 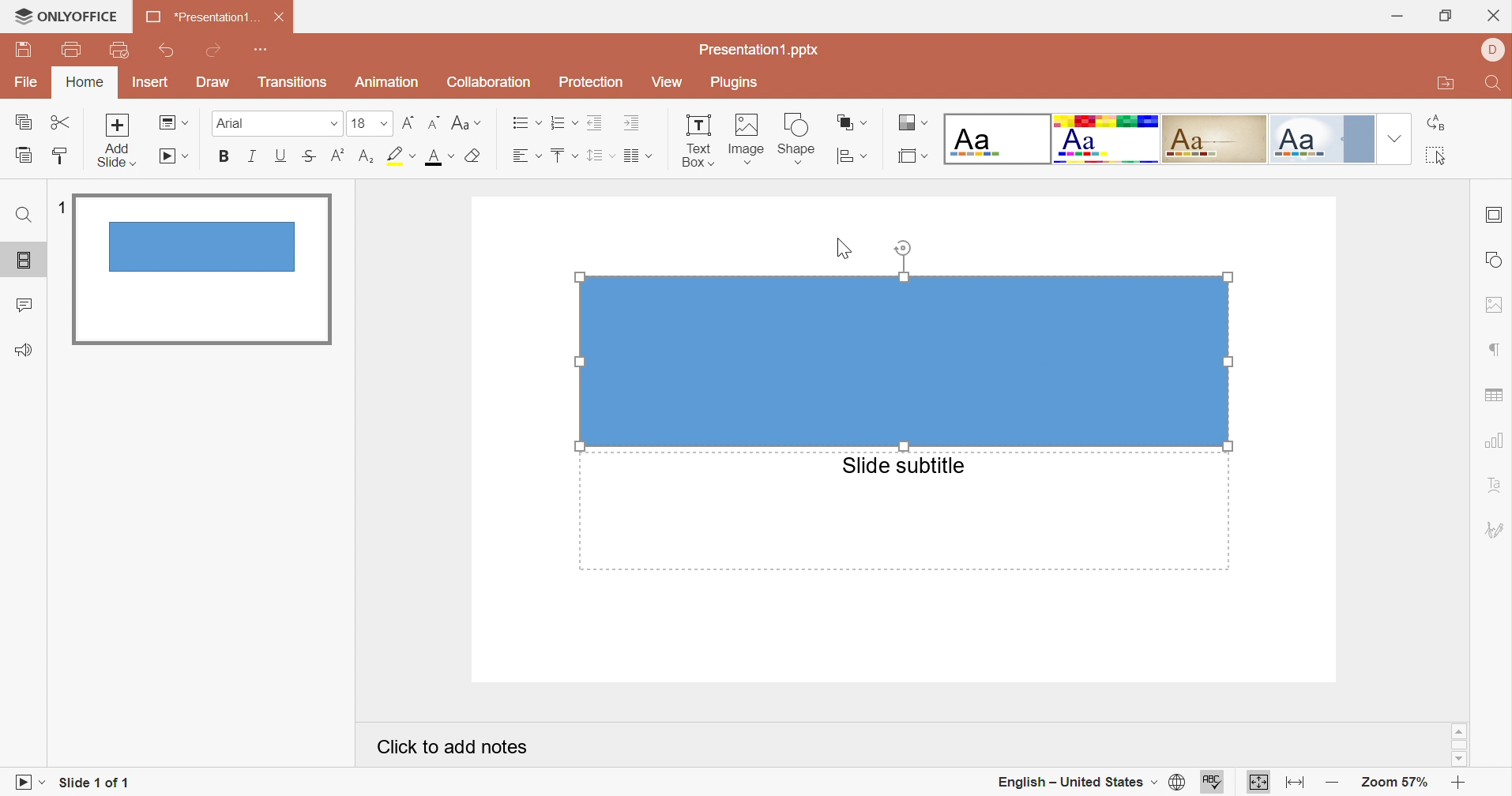 I want to click on Minimize, so click(x=1401, y=19).